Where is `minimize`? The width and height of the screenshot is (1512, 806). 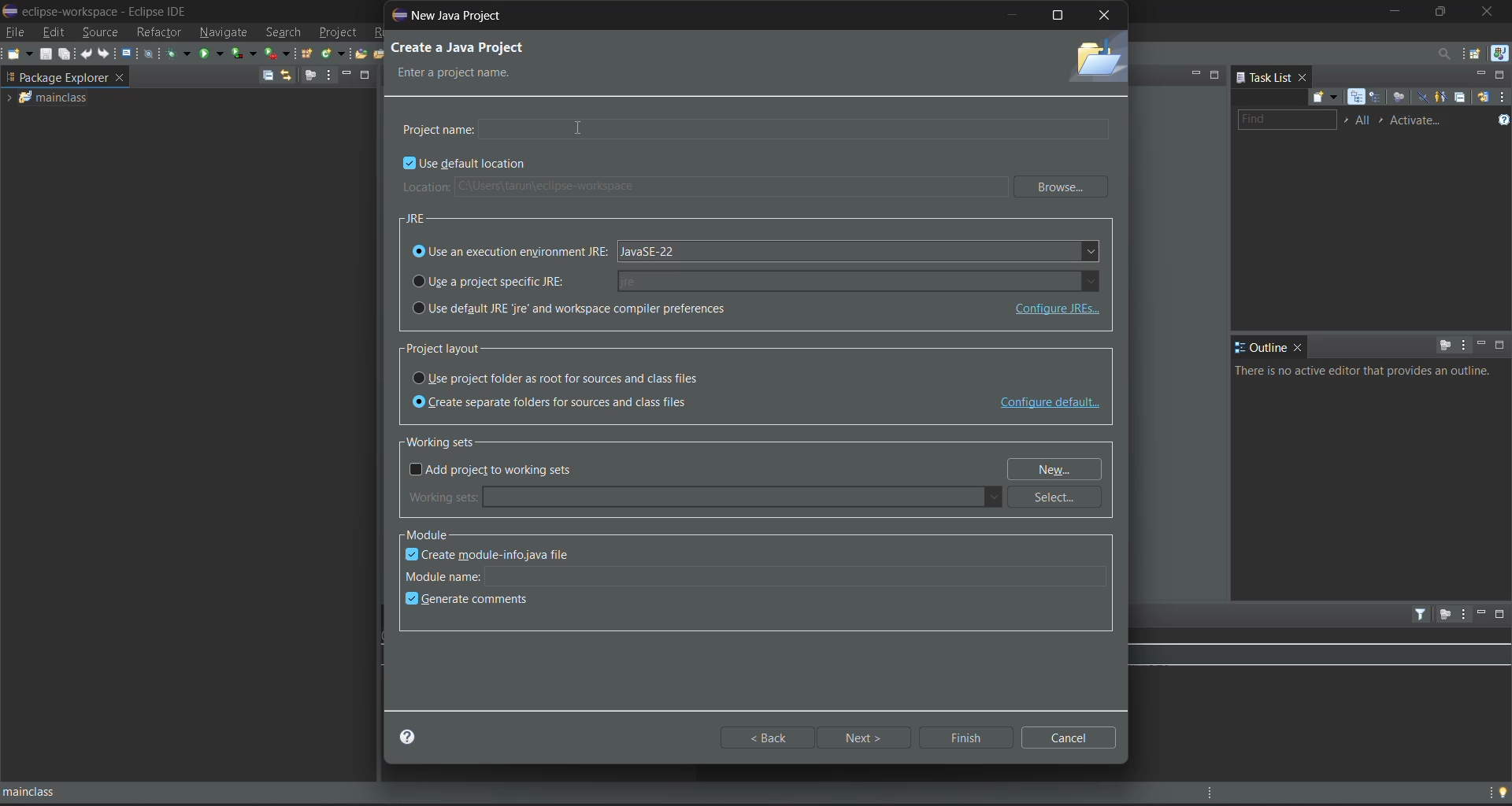
minimize is located at coordinates (1480, 75).